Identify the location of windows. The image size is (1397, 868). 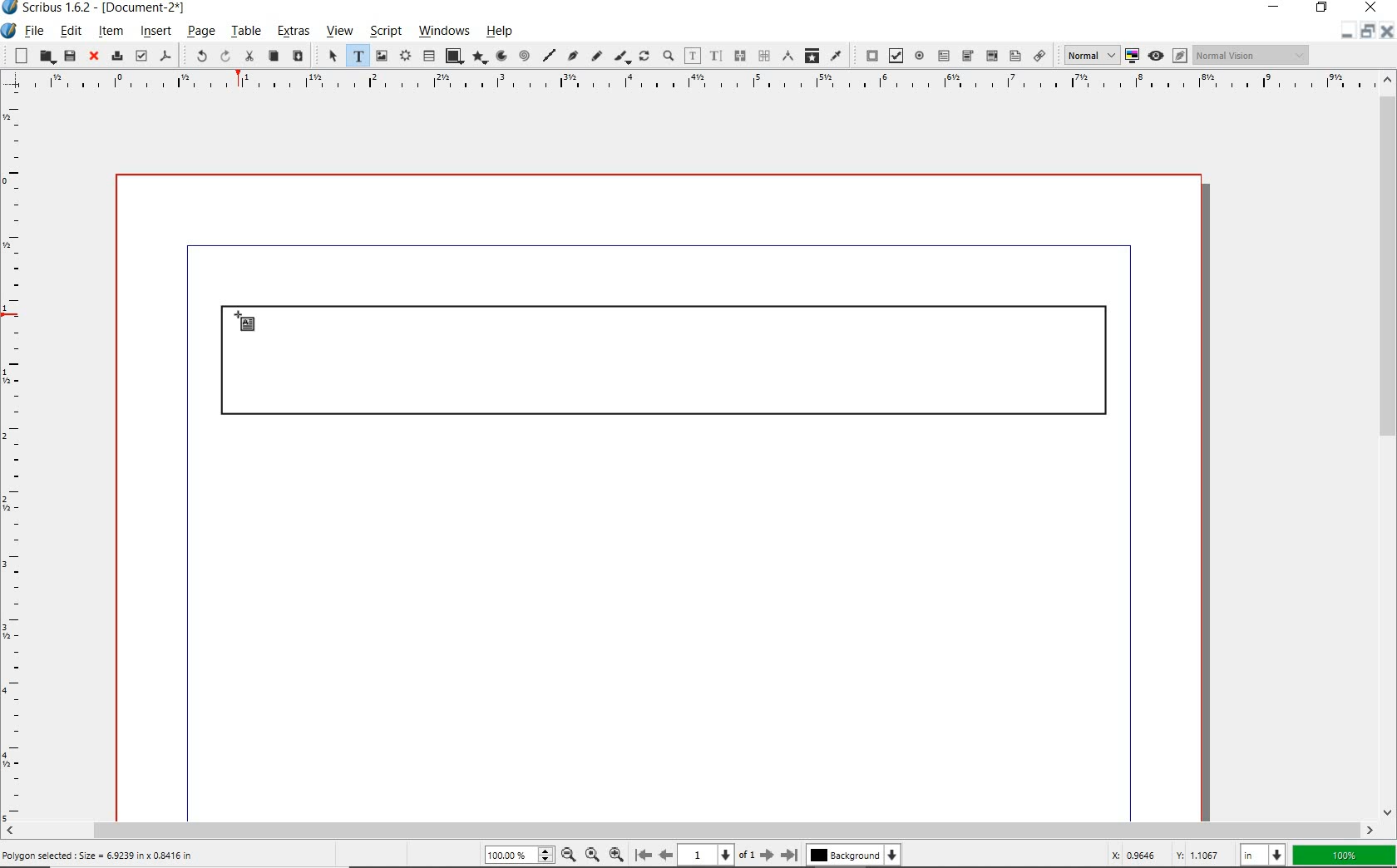
(445, 32).